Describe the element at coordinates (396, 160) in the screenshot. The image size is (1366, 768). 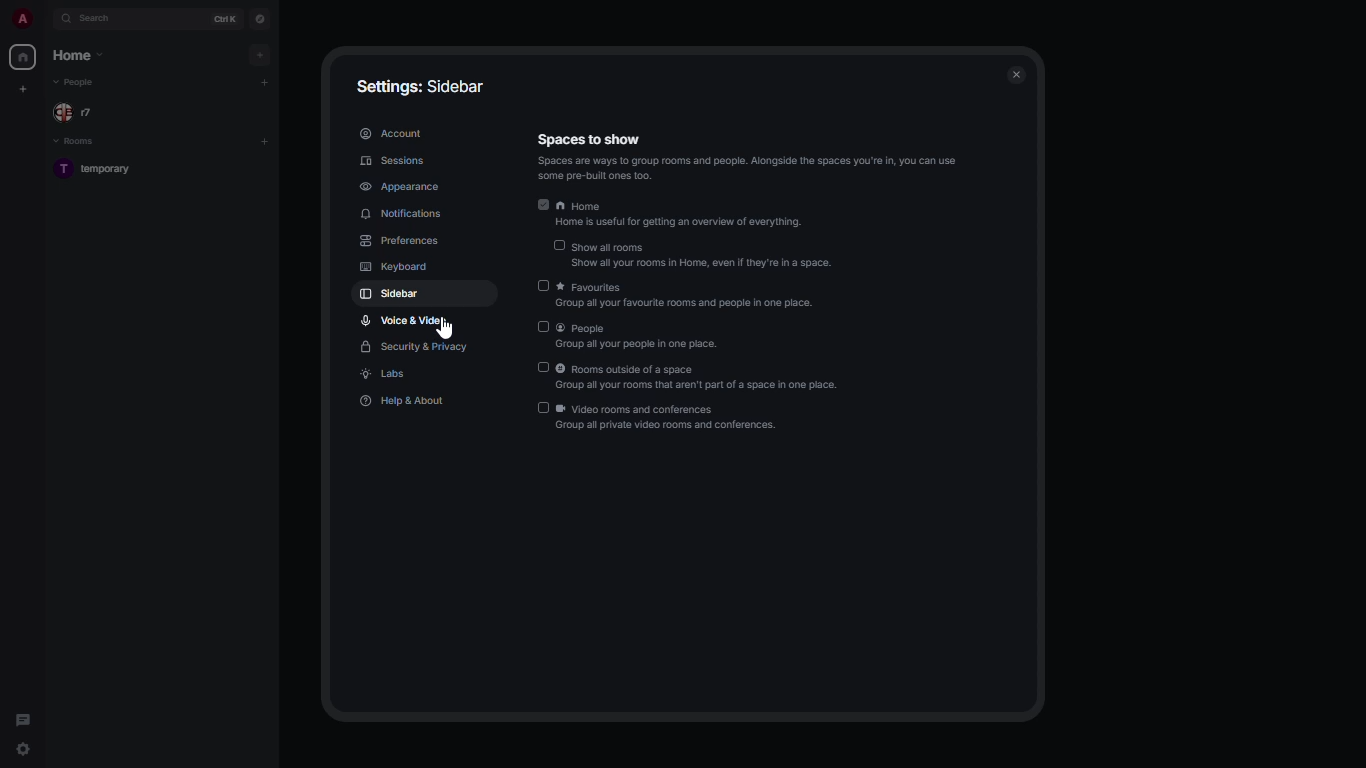
I see `sessions` at that location.